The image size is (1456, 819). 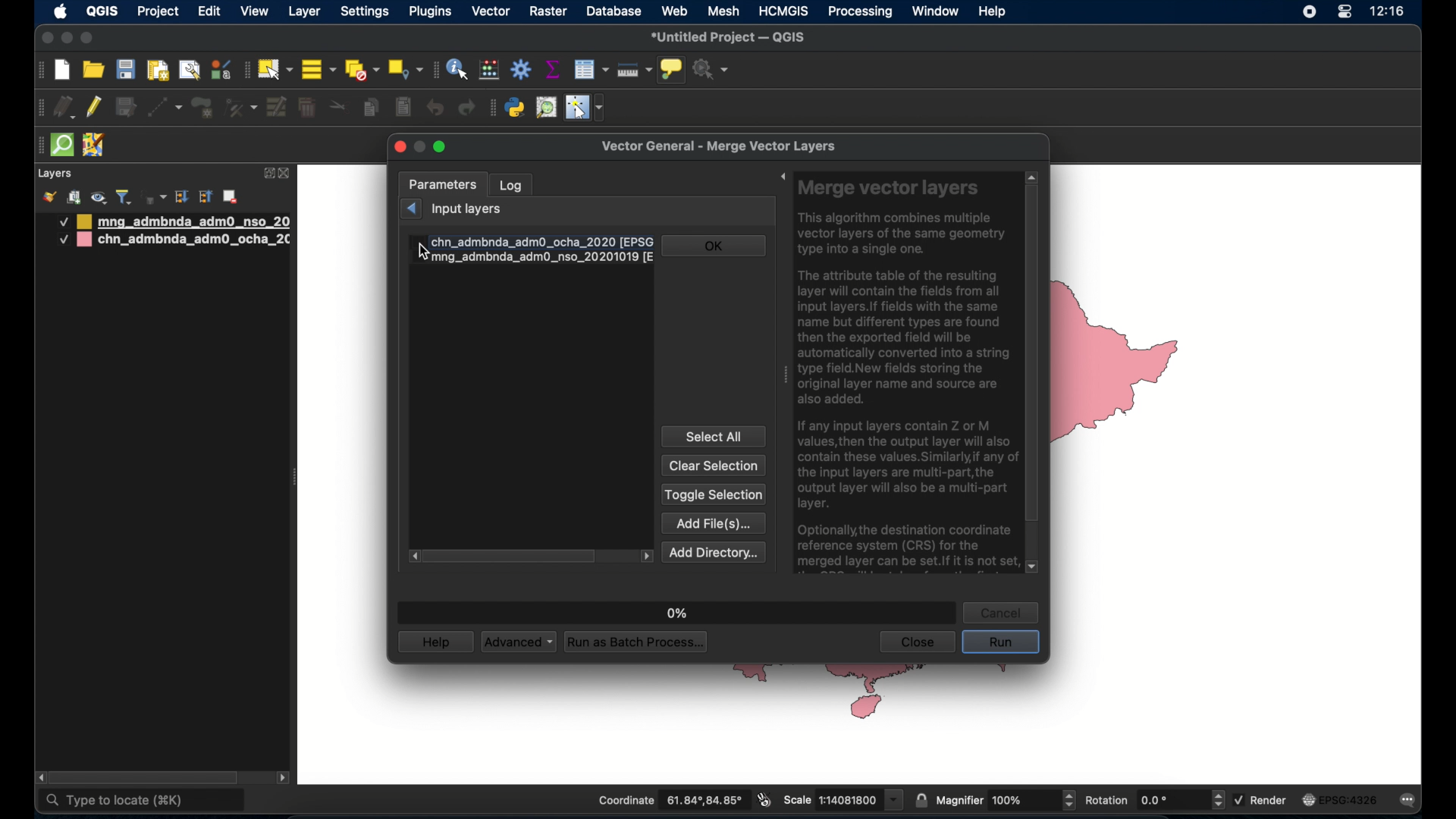 What do you see at coordinates (714, 522) in the screenshot?
I see `add file(s)` at bounding box center [714, 522].